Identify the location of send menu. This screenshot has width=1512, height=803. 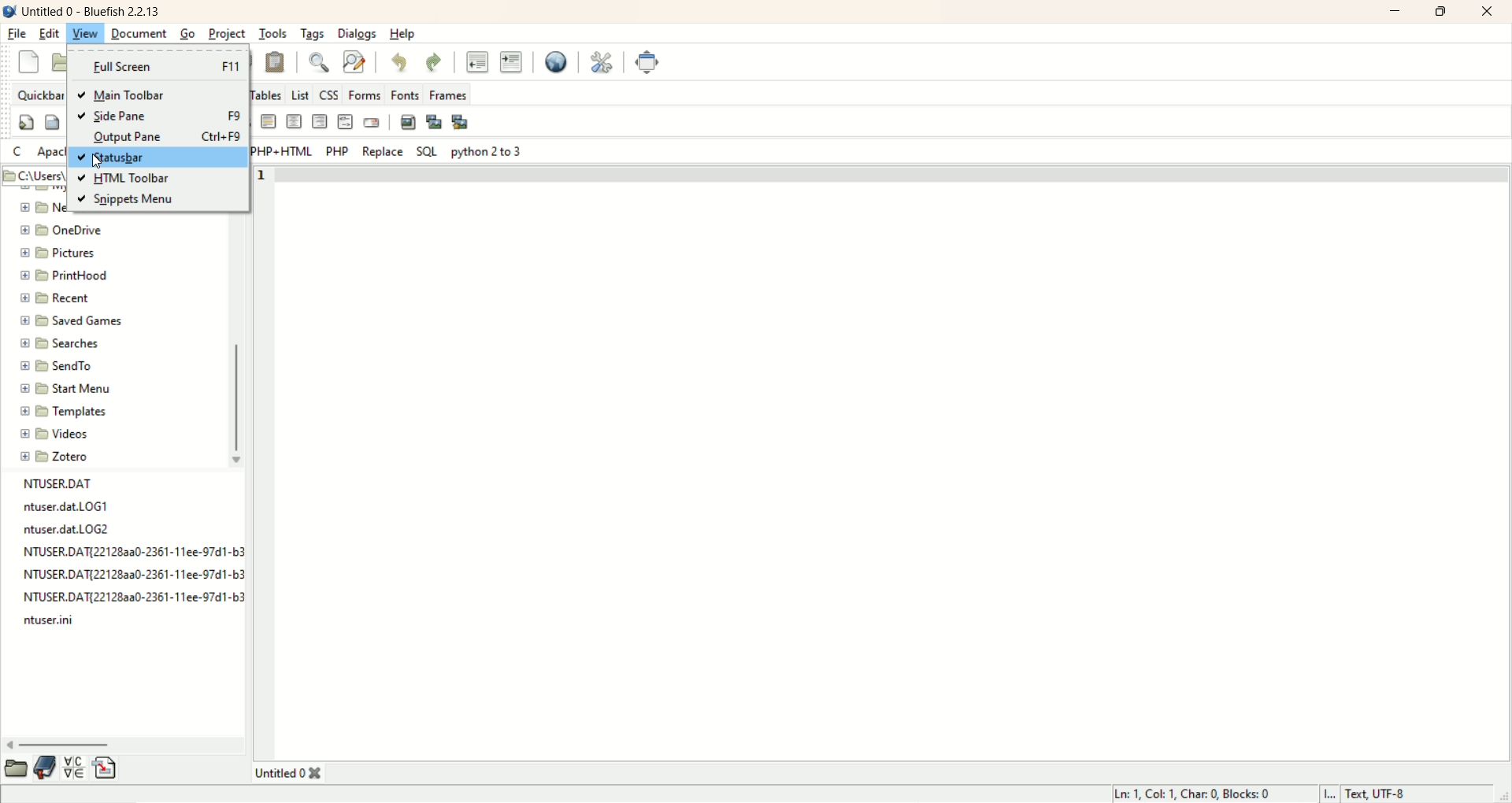
(61, 368).